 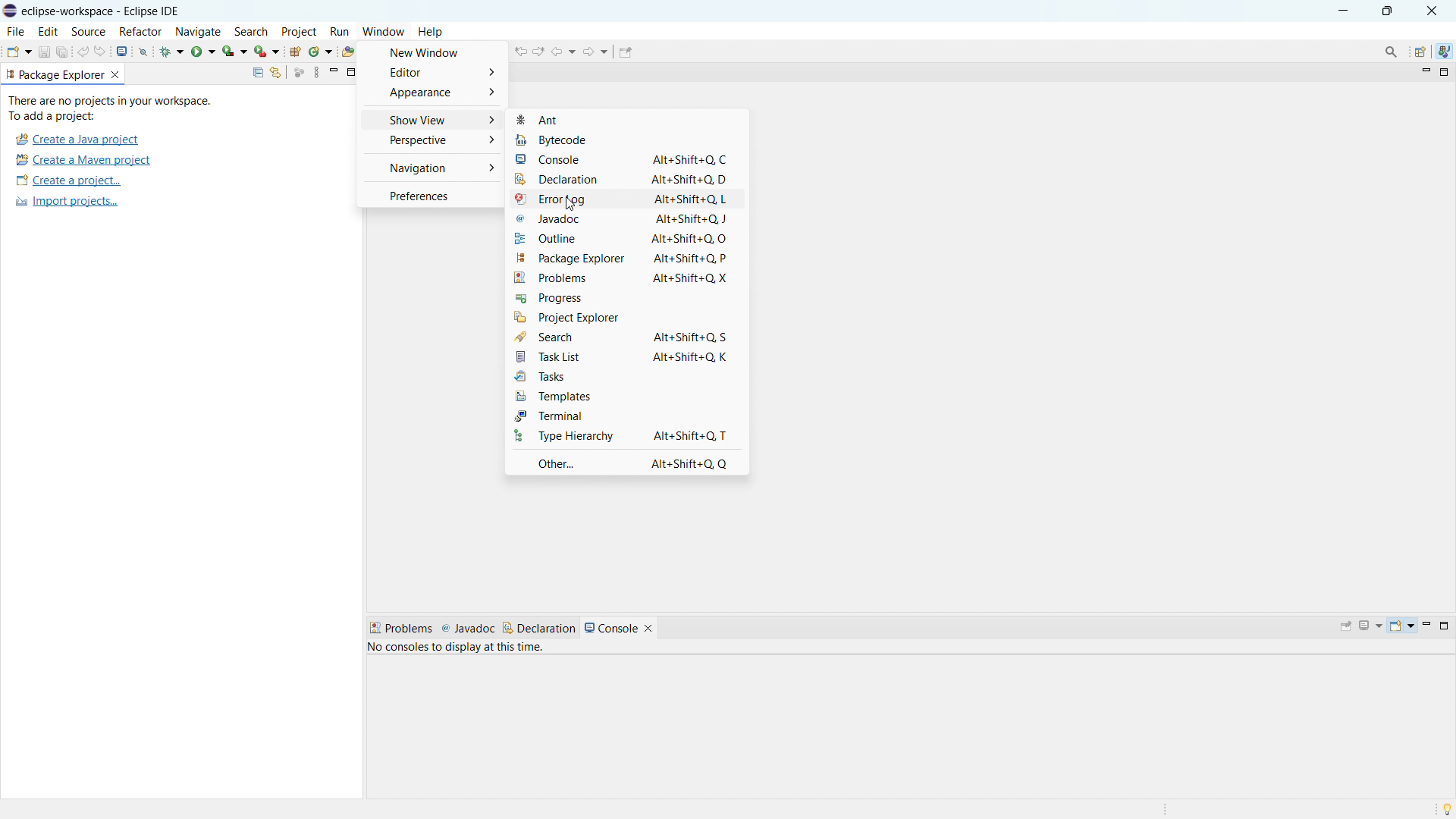 I want to click on open type, so click(x=347, y=51).